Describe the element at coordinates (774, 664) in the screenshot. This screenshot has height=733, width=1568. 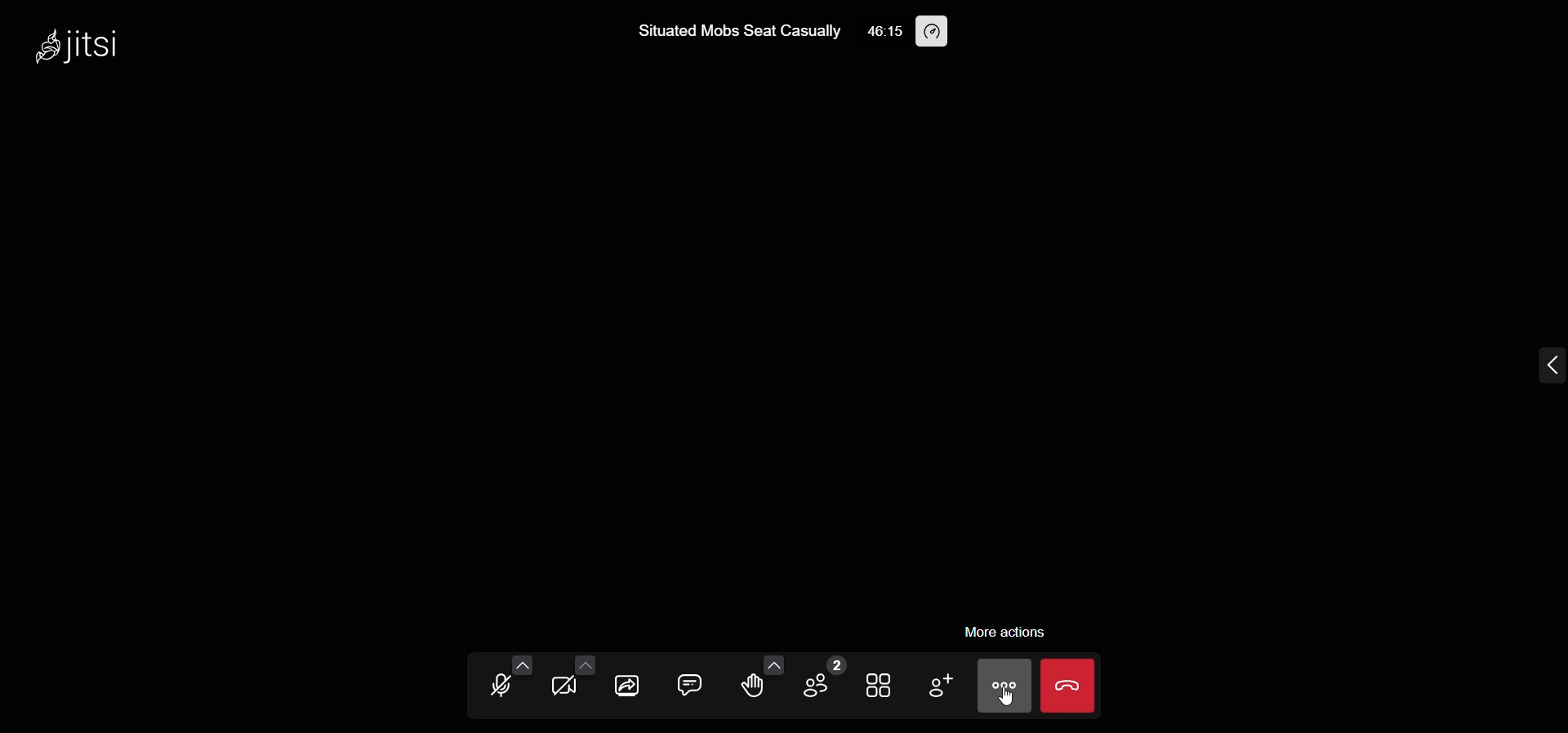
I see `more emoji` at that location.